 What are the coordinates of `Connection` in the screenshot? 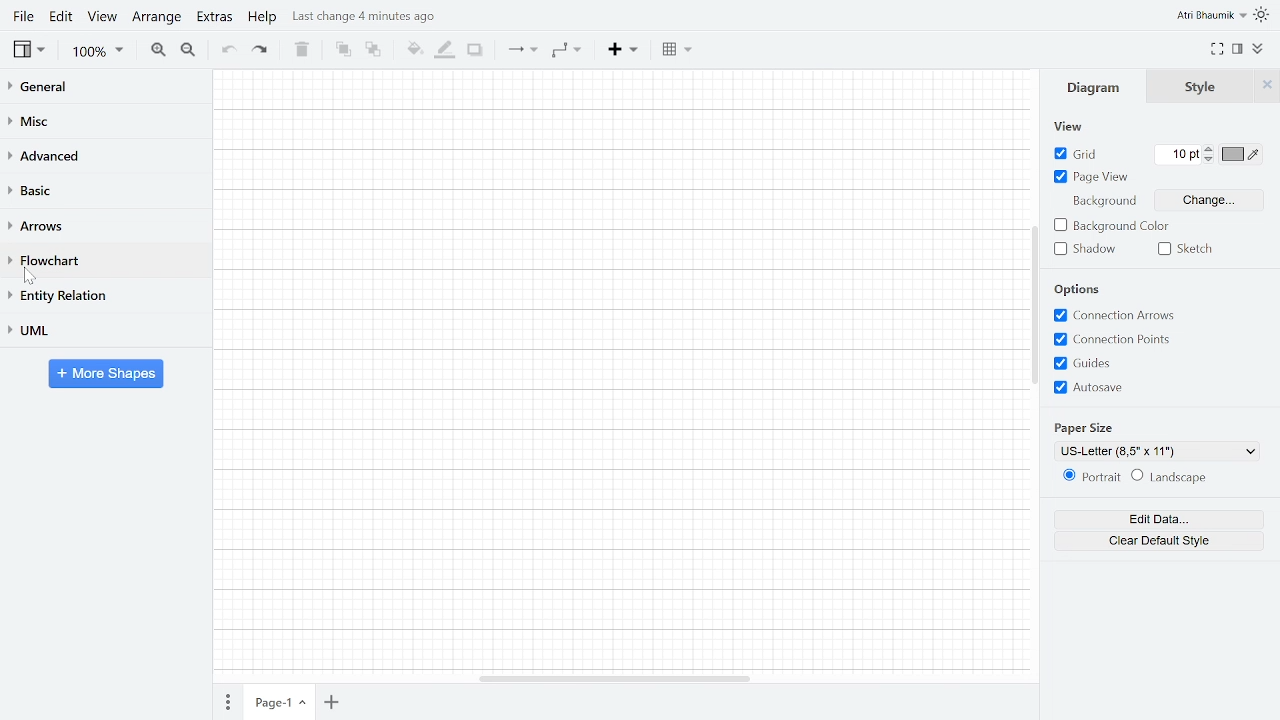 It's located at (522, 51).